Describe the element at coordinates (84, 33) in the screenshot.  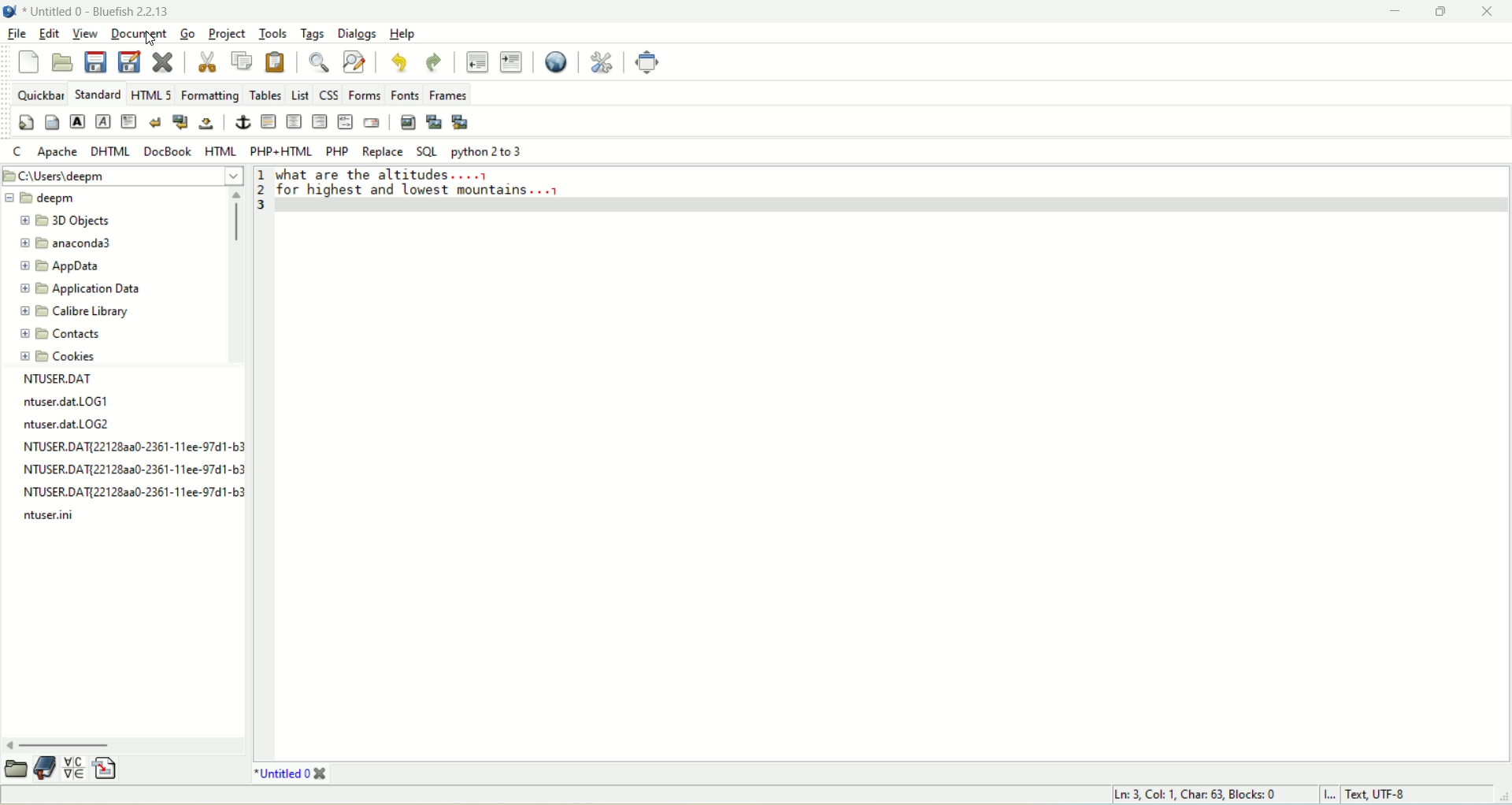
I see `view` at that location.